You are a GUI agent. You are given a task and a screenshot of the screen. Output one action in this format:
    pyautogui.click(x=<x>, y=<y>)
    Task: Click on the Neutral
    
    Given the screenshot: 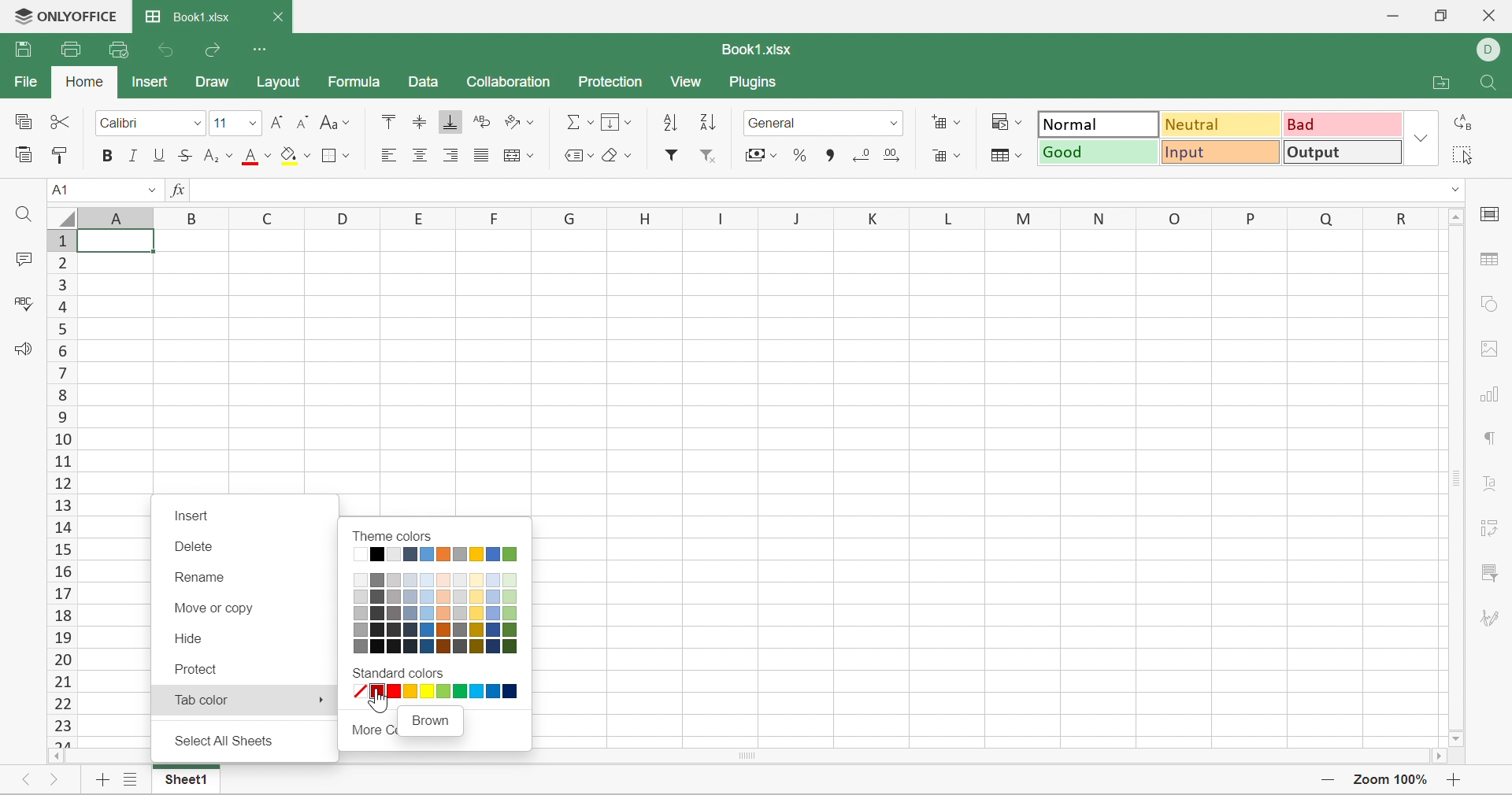 What is the action you would take?
    pyautogui.click(x=1223, y=124)
    